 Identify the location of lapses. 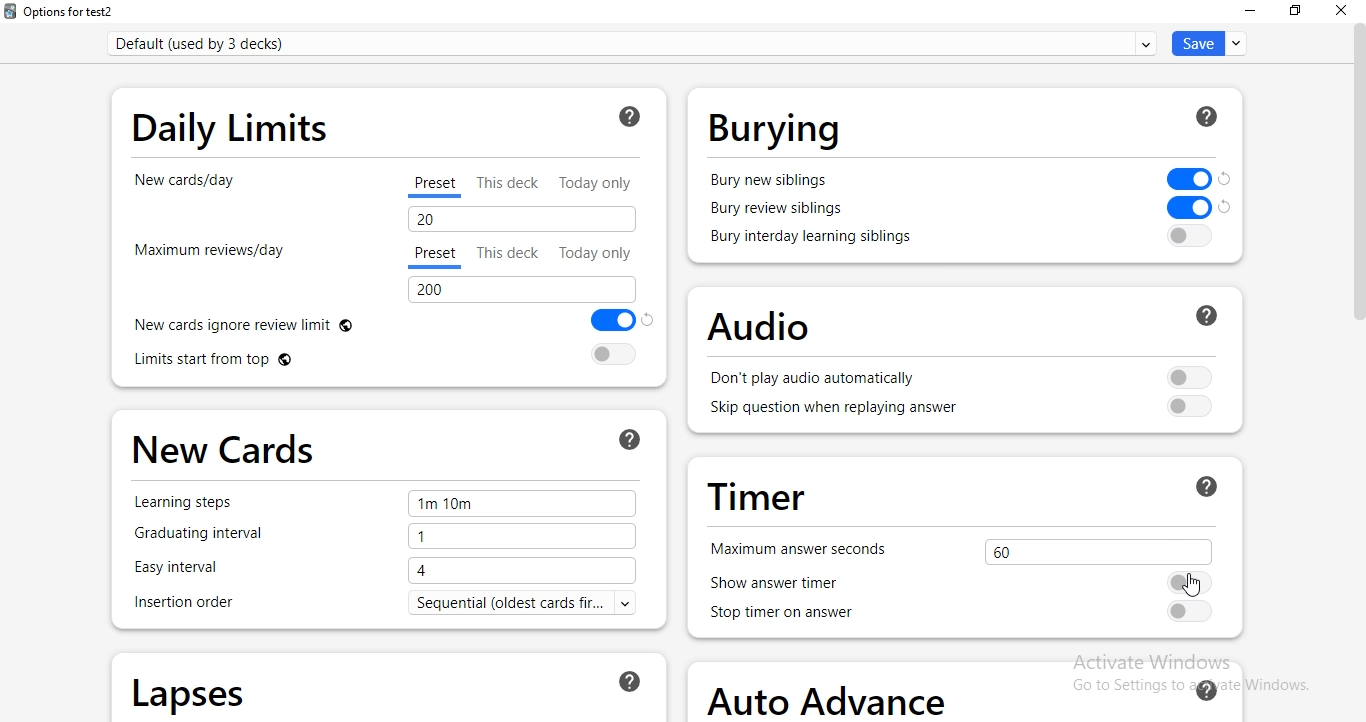
(388, 686).